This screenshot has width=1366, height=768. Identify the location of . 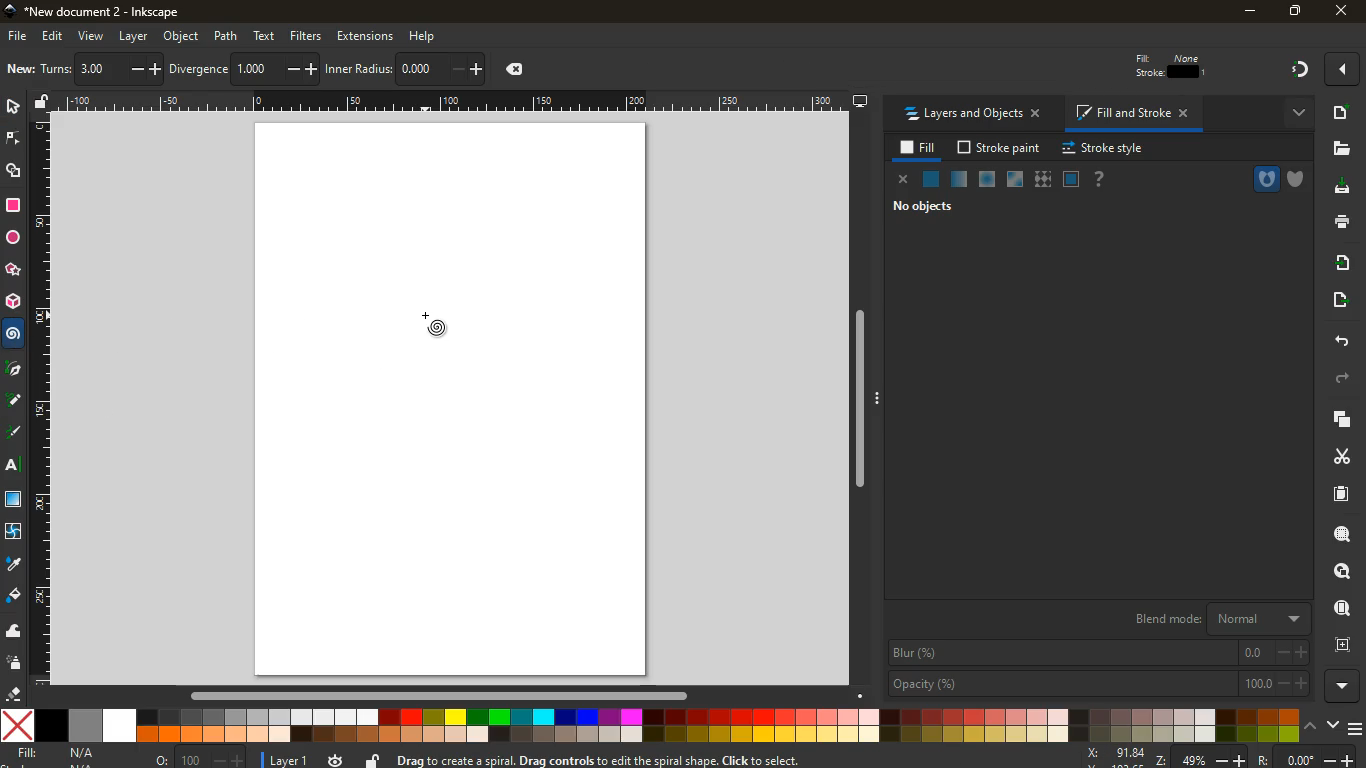
(14, 402).